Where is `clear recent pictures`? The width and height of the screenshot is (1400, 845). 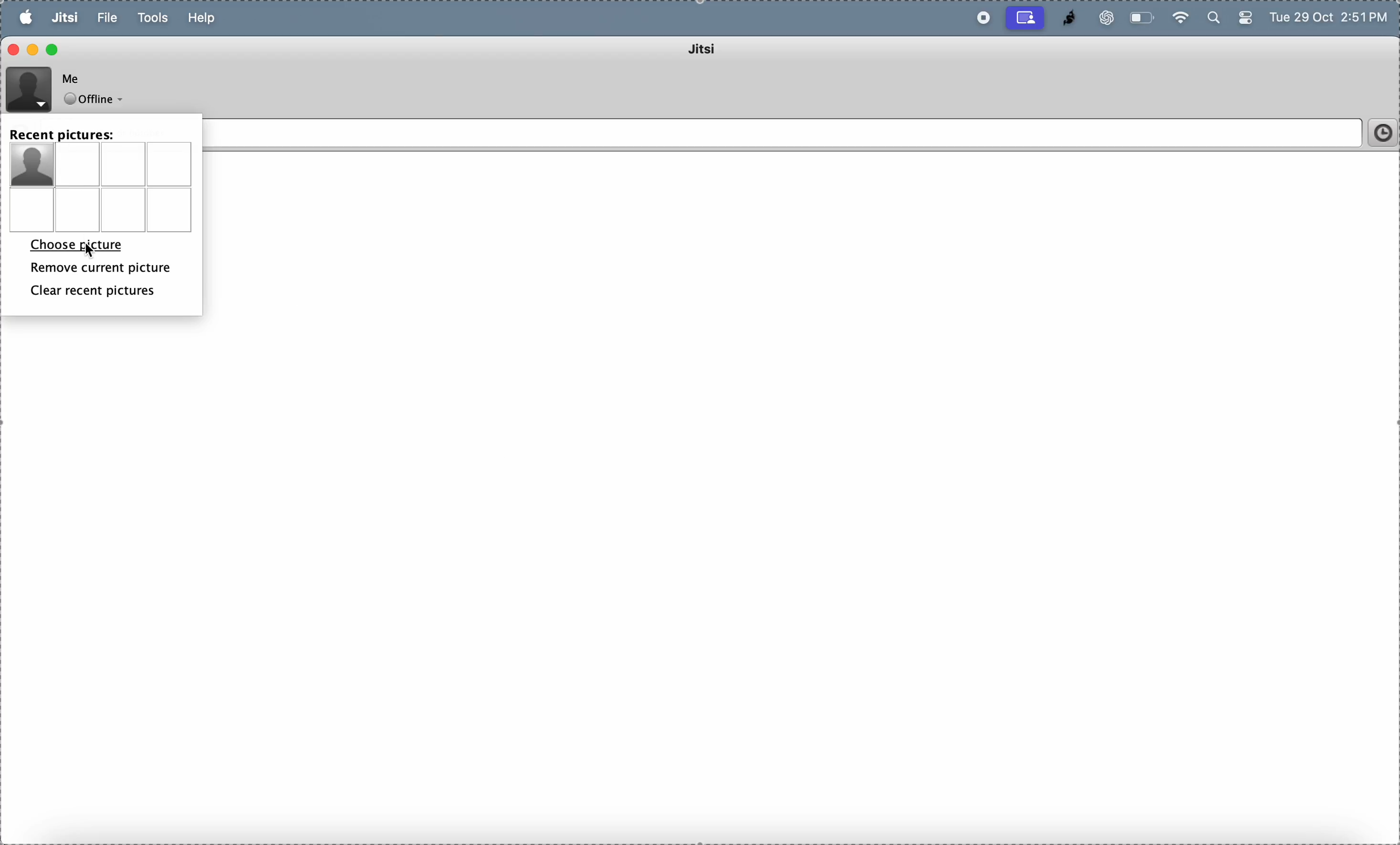 clear recent pictures is located at coordinates (95, 290).